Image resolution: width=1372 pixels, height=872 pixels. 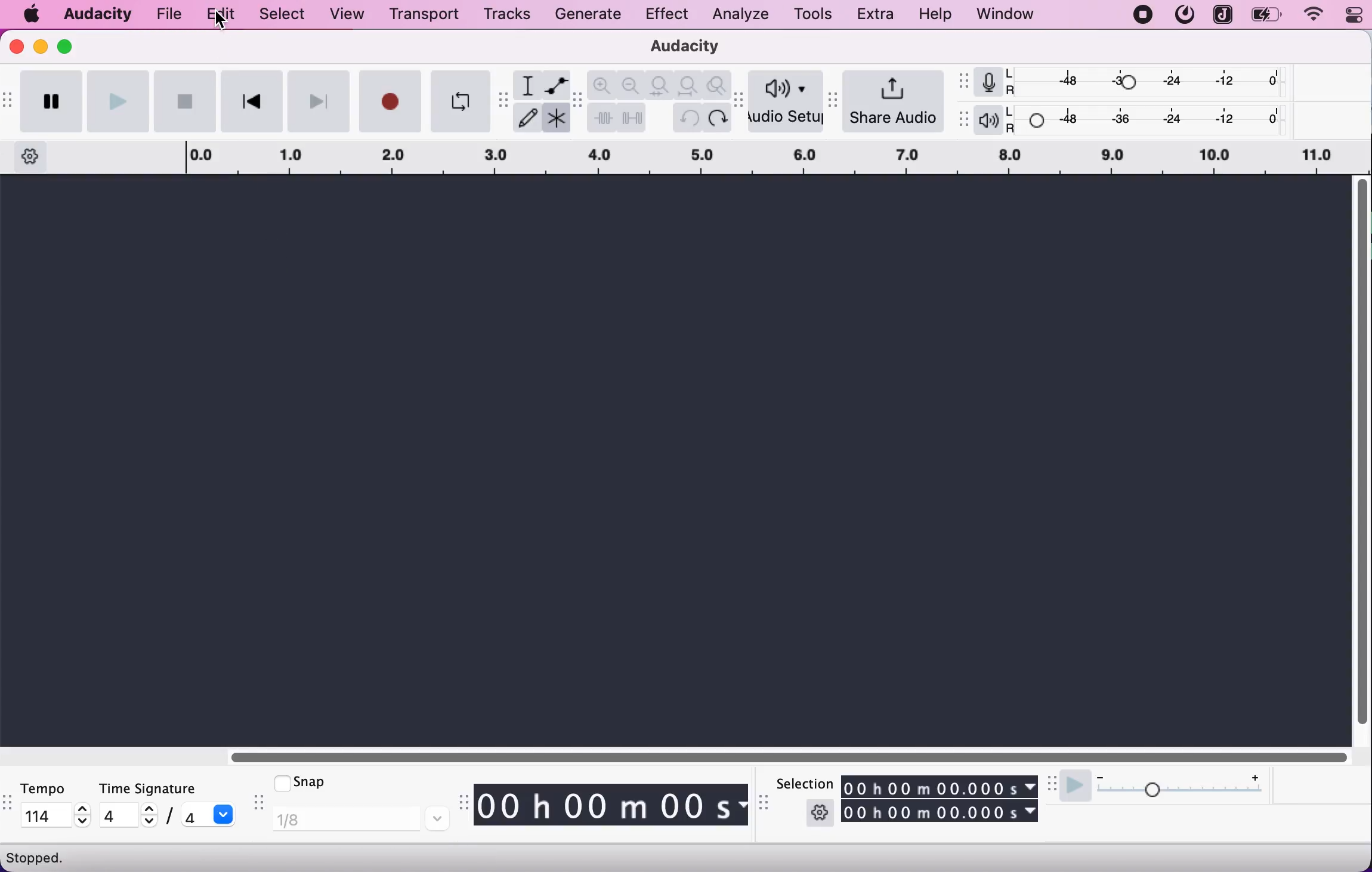 What do you see at coordinates (1074, 788) in the screenshot?
I see `play at speed` at bounding box center [1074, 788].